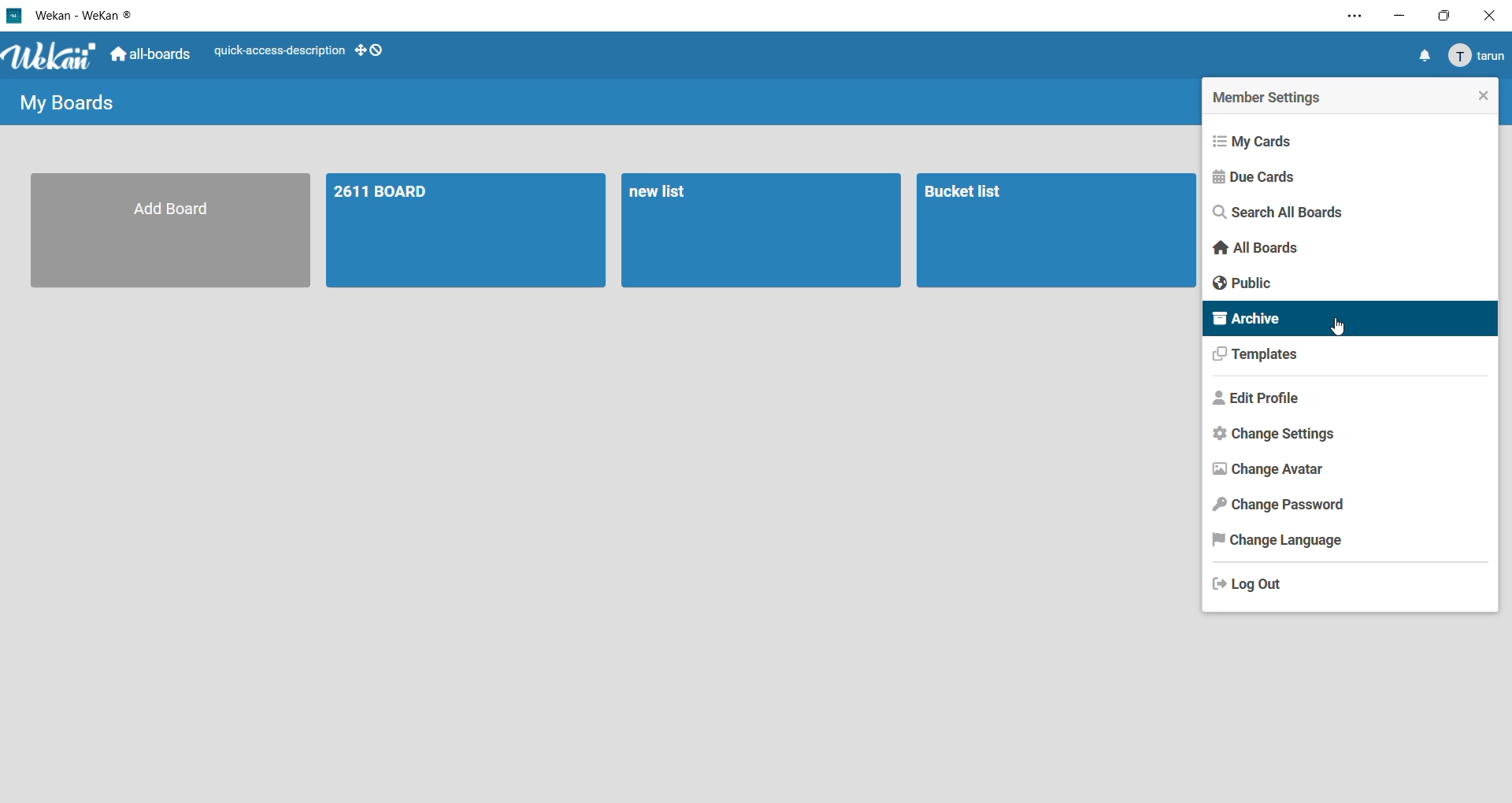 This screenshot has height=803, width=1512. Describe the element at coordinates (371, 48) in the screenshot. I see `show desktop drag handles` at that location.